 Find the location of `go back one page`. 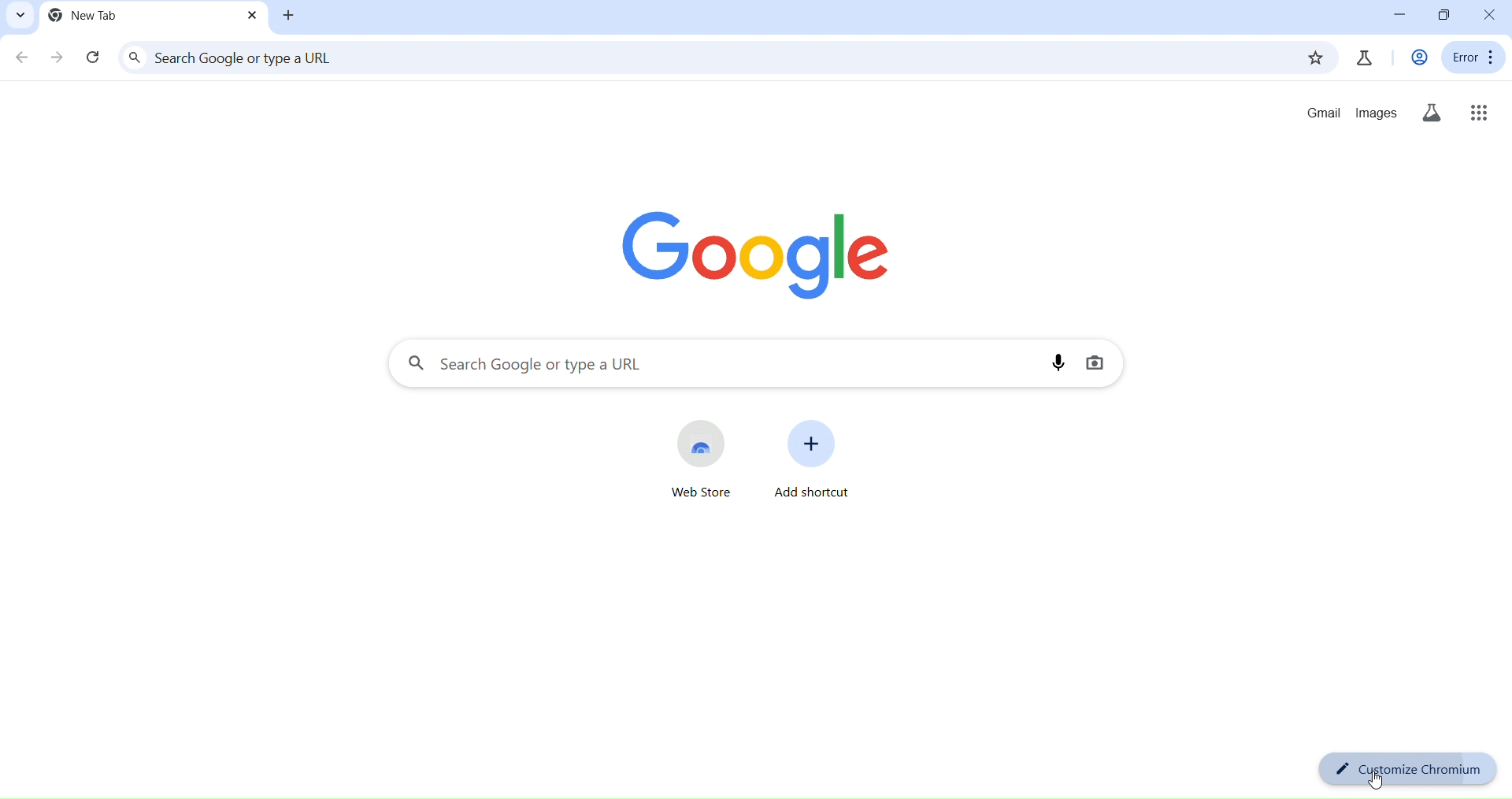

go back one page is located at coordinates (22, 58).